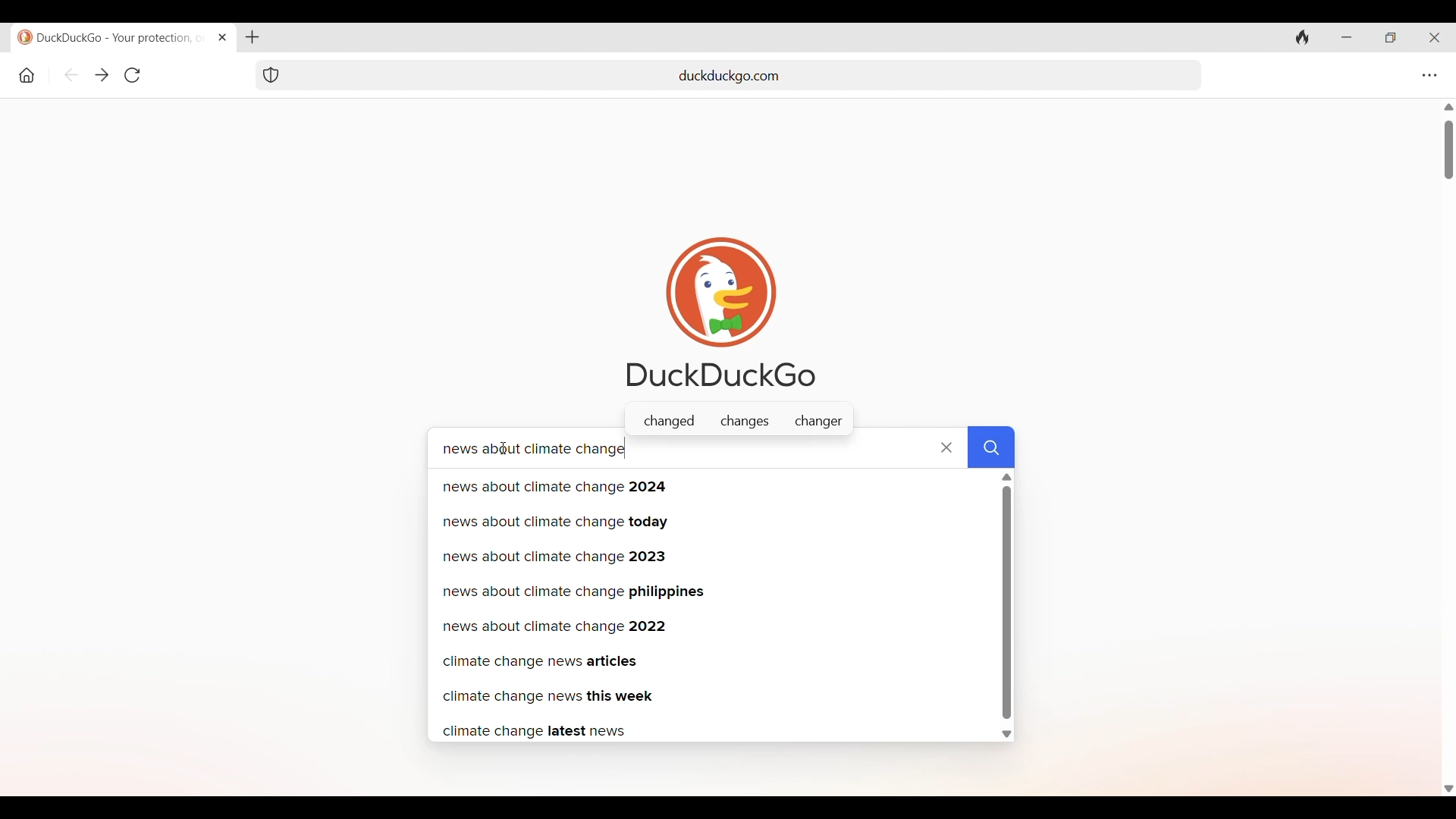 Image resolution: width=1456 pixels, height=819 pixels. What do you see at coordinates (723, 312) in the screenshot?
I see `Software logo and name` at bounding box center [723, 312].